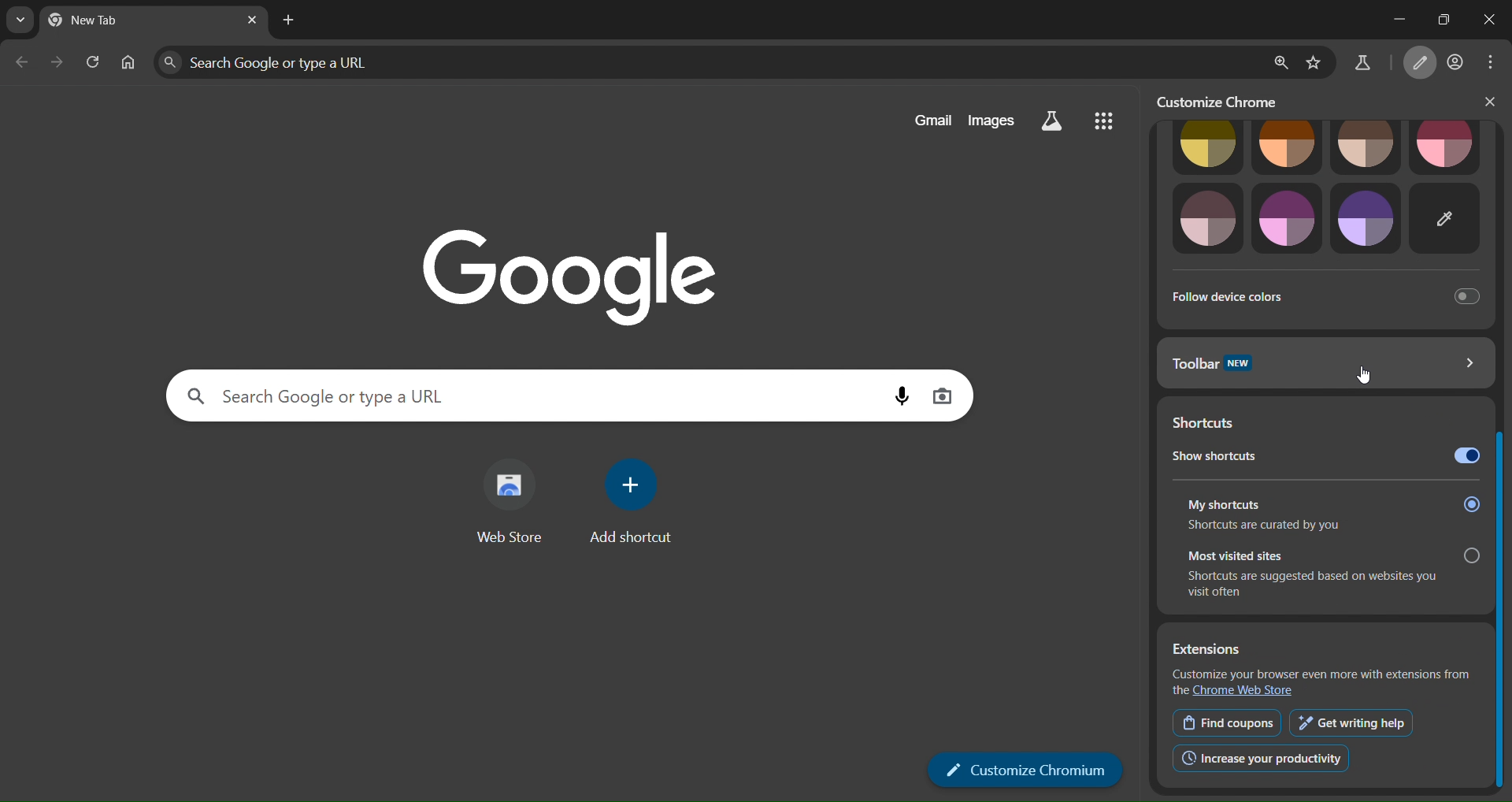  Describe the element at coordinates (1289, 147) in the screenshot. I see `theme` at that location.